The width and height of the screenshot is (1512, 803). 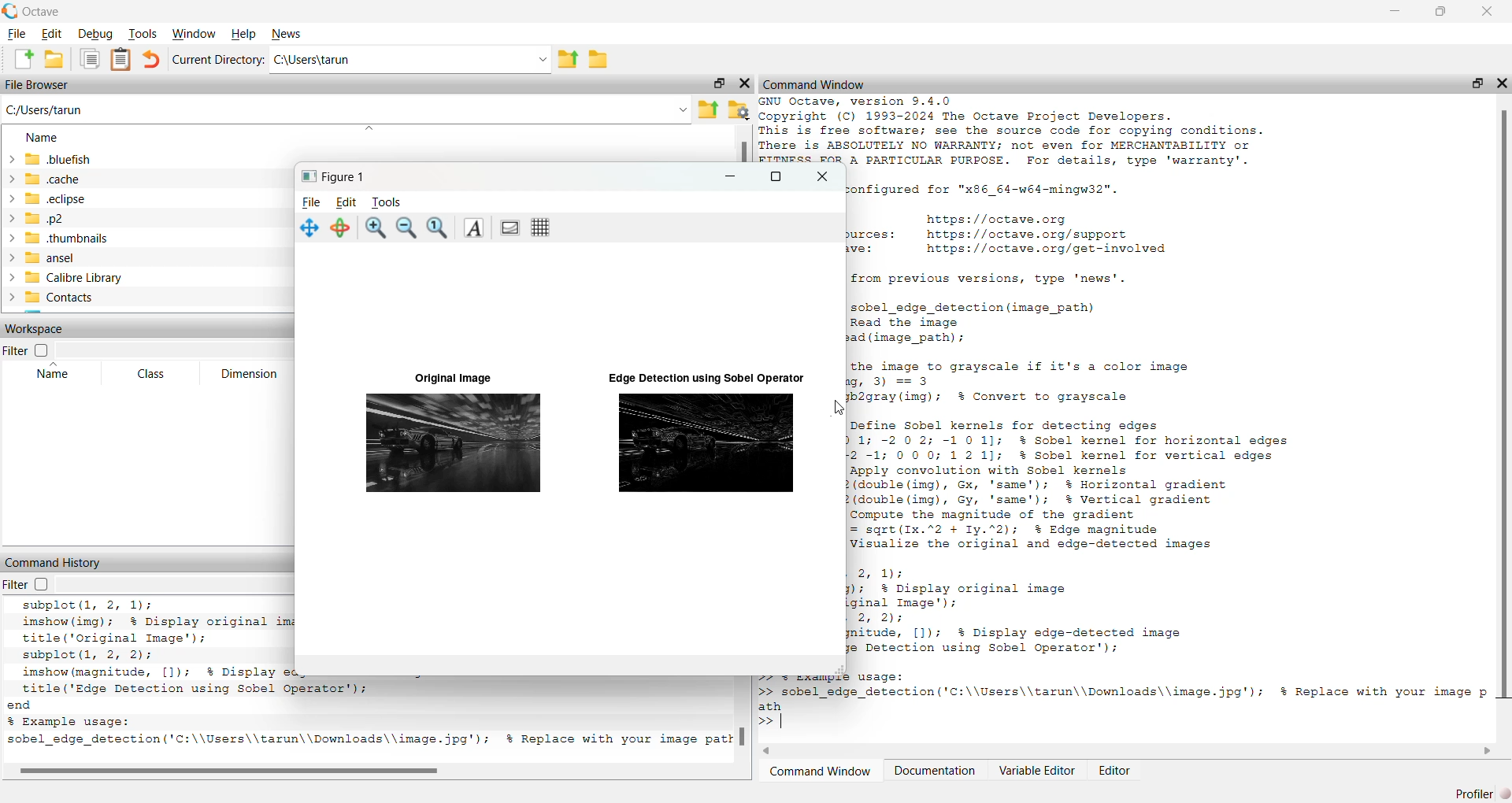 What do you see at coordinates (1503, 83) in the screenshot?
I see `close` at bounding box center [1503, 83].